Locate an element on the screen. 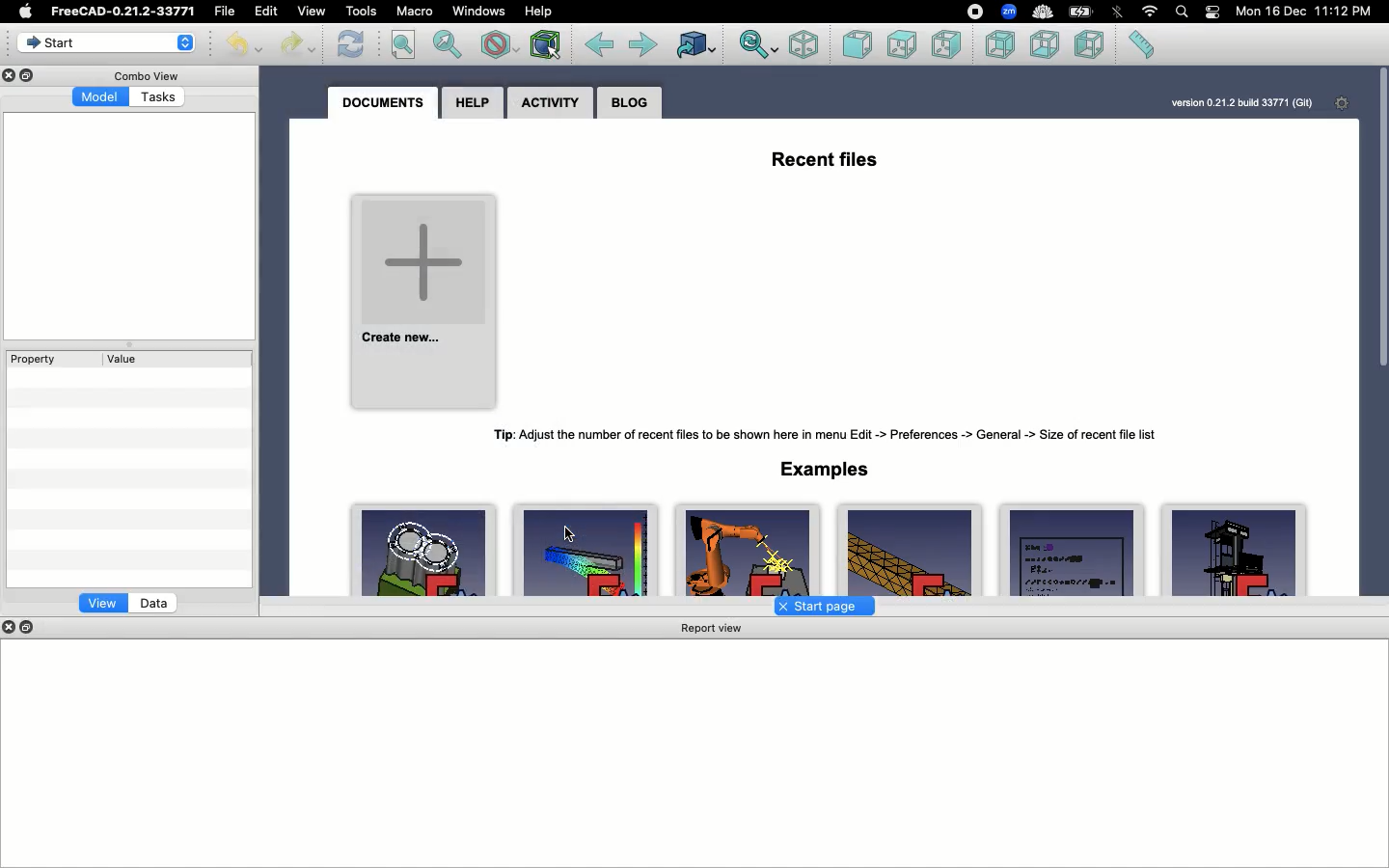  recording is located at coordinates (974, 12).